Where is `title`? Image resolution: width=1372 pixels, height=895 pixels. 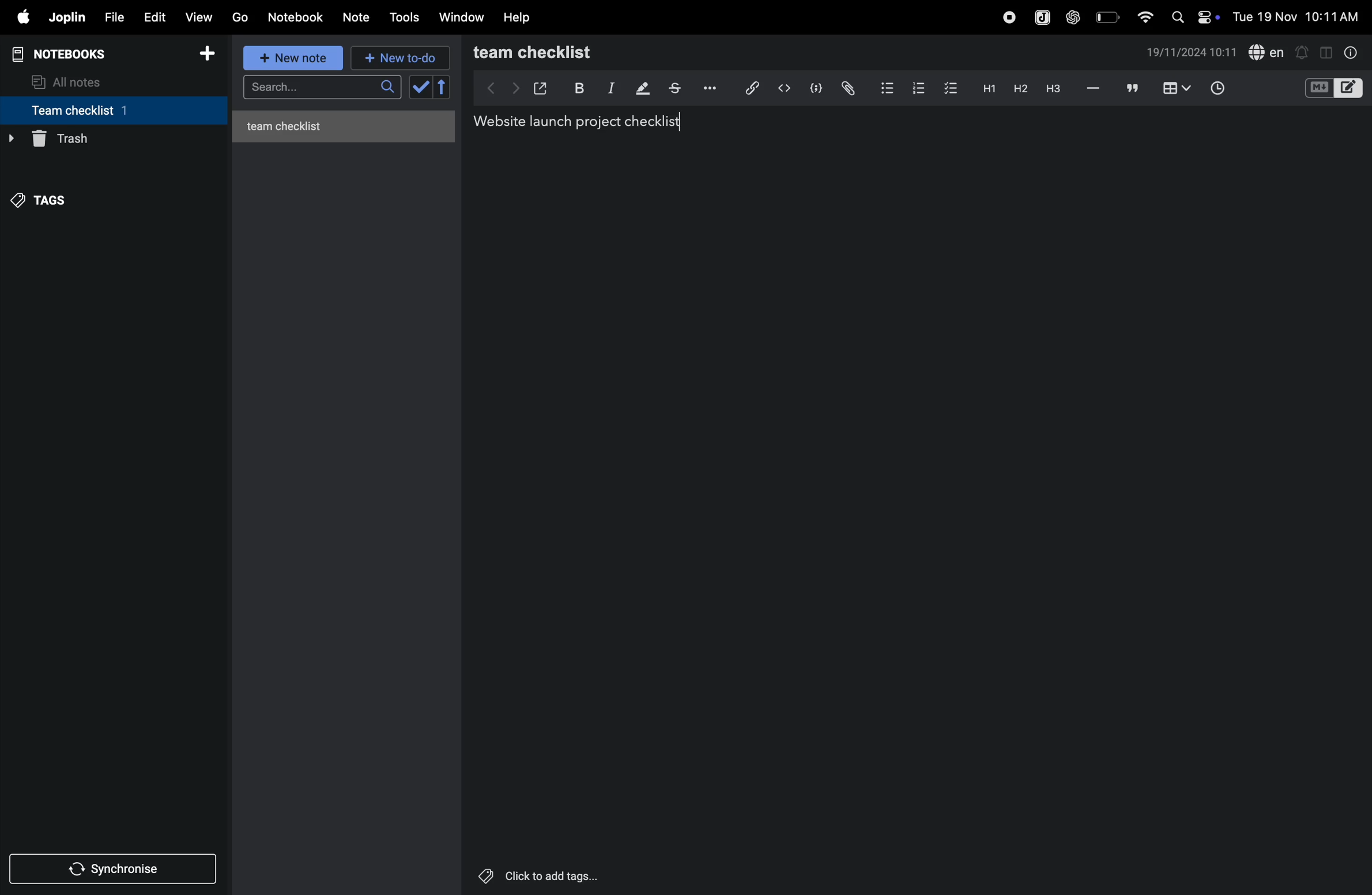
title is located at coordinates (575, 122).